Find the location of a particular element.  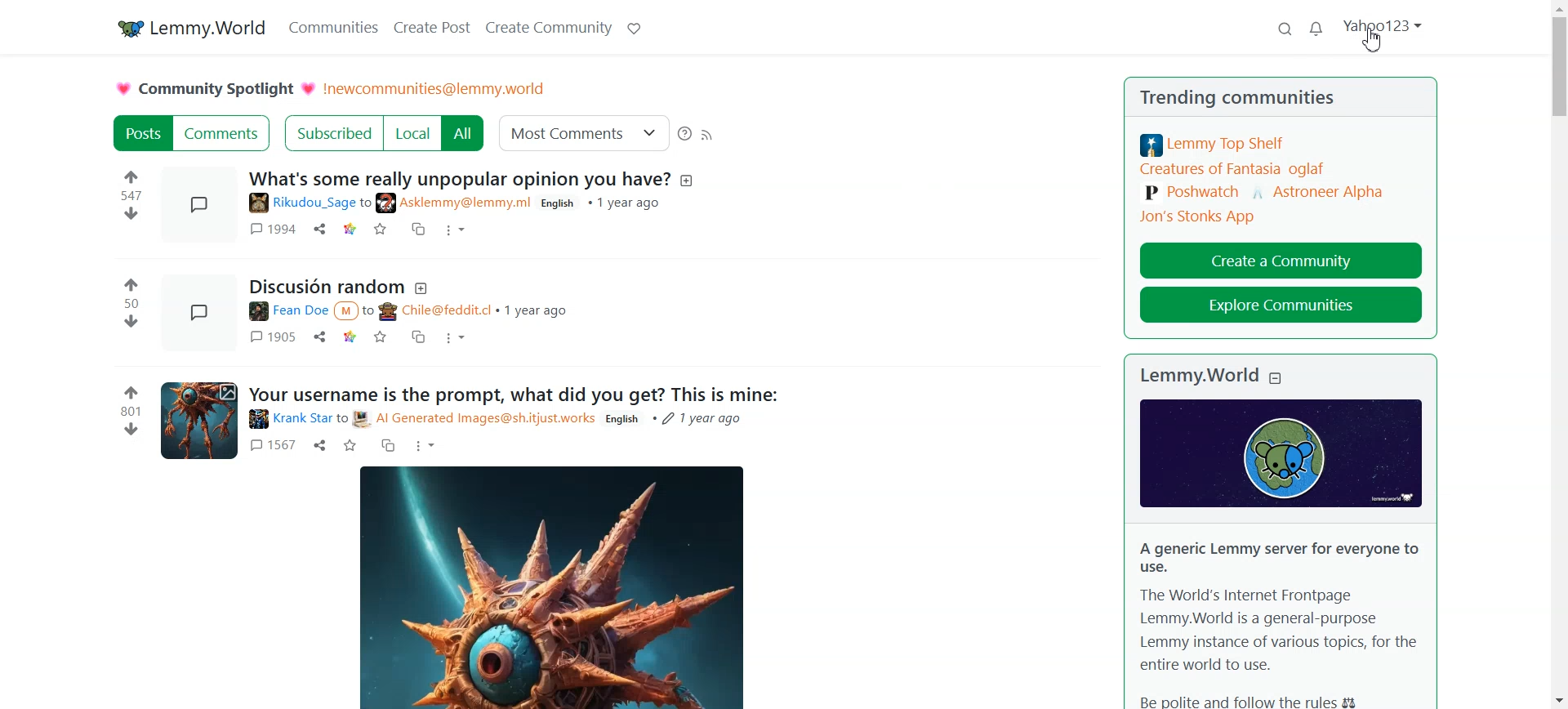

Astroneer Alpha is located at coordinates (1319, 190).